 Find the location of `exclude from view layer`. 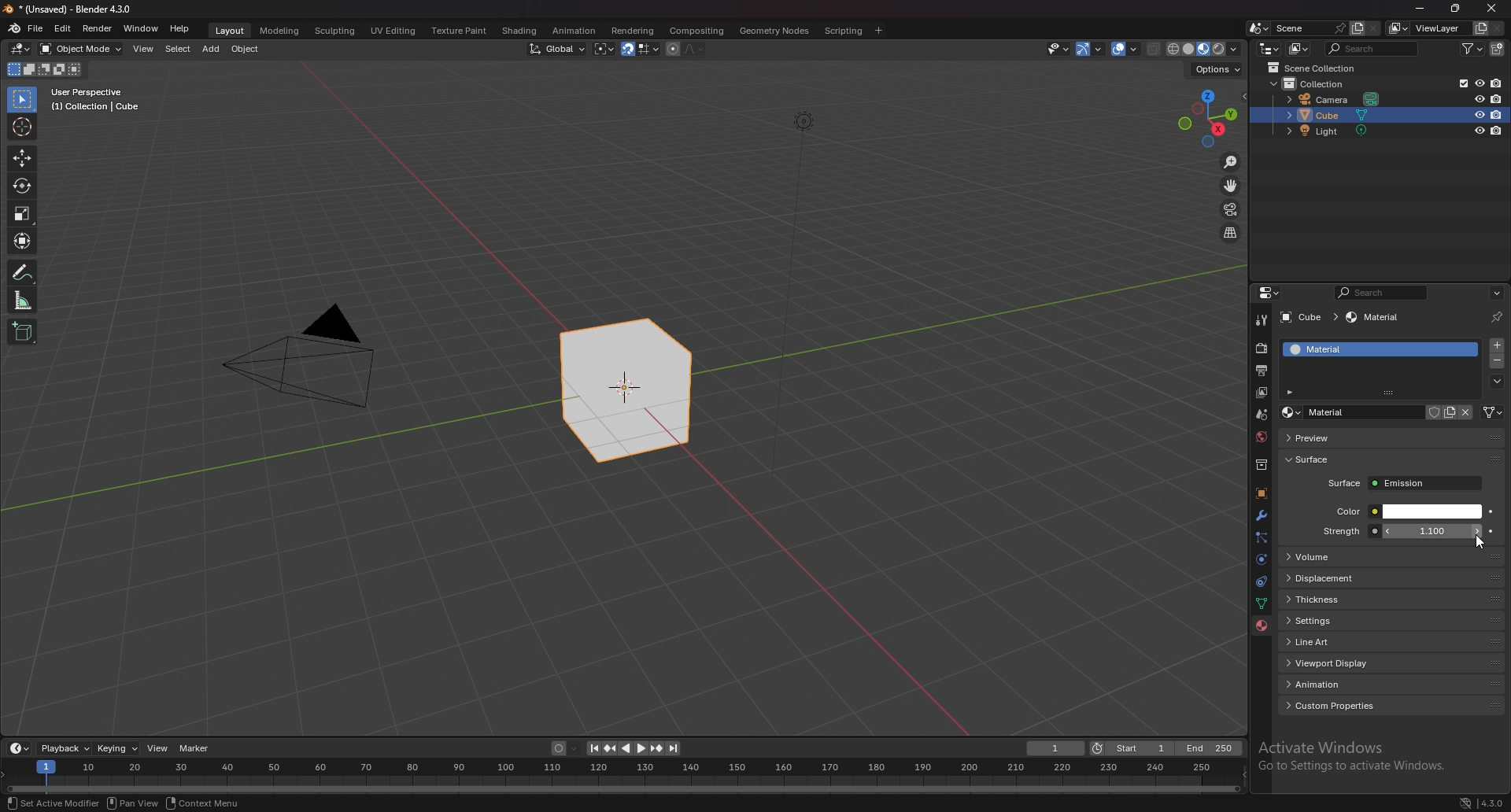

exclude from view layer is located at coordinates (1459, 83).